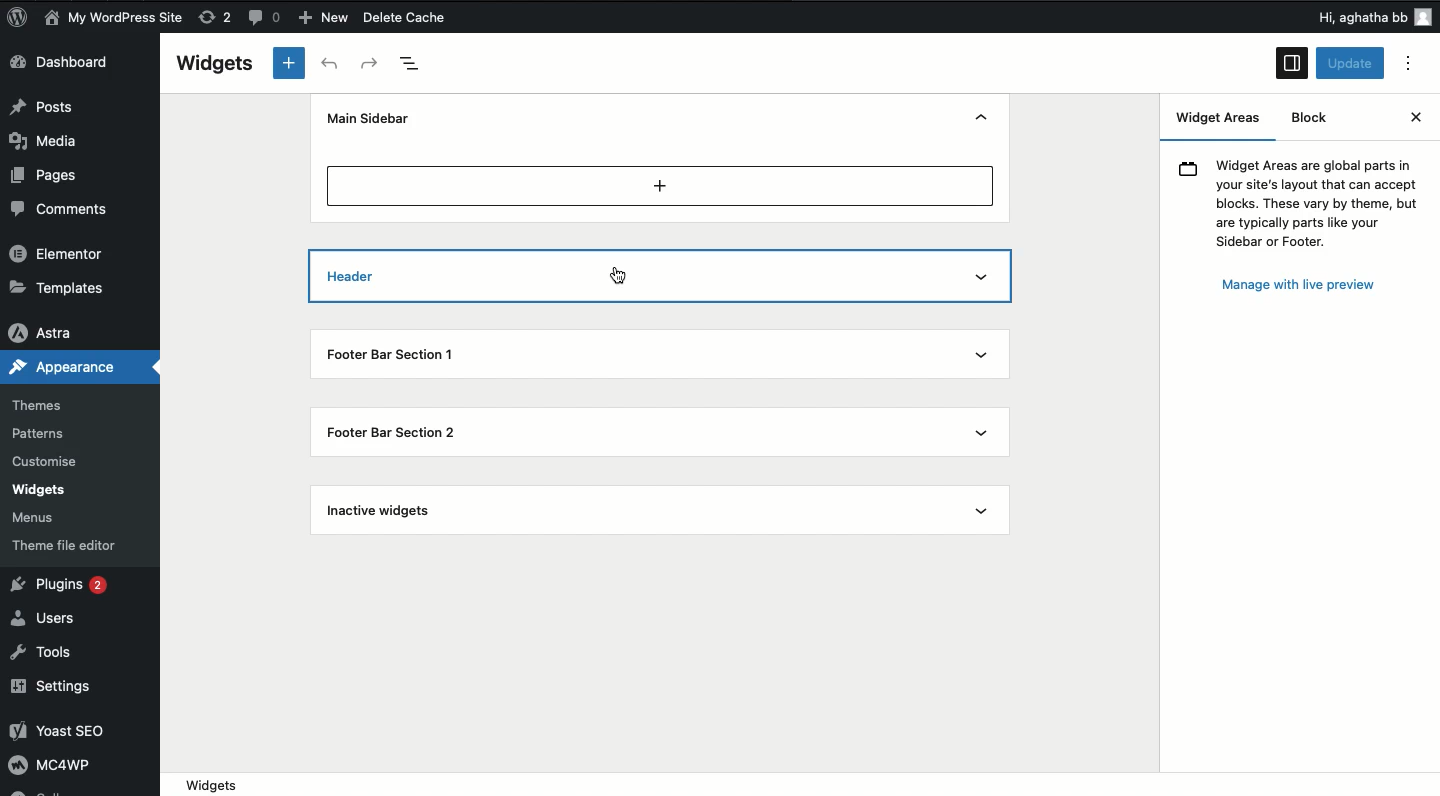 The height and width of the screenshot is (796, 1440). Describe the element at coordinates (51, 107) in the screenshot. I see `Posts` at that location.